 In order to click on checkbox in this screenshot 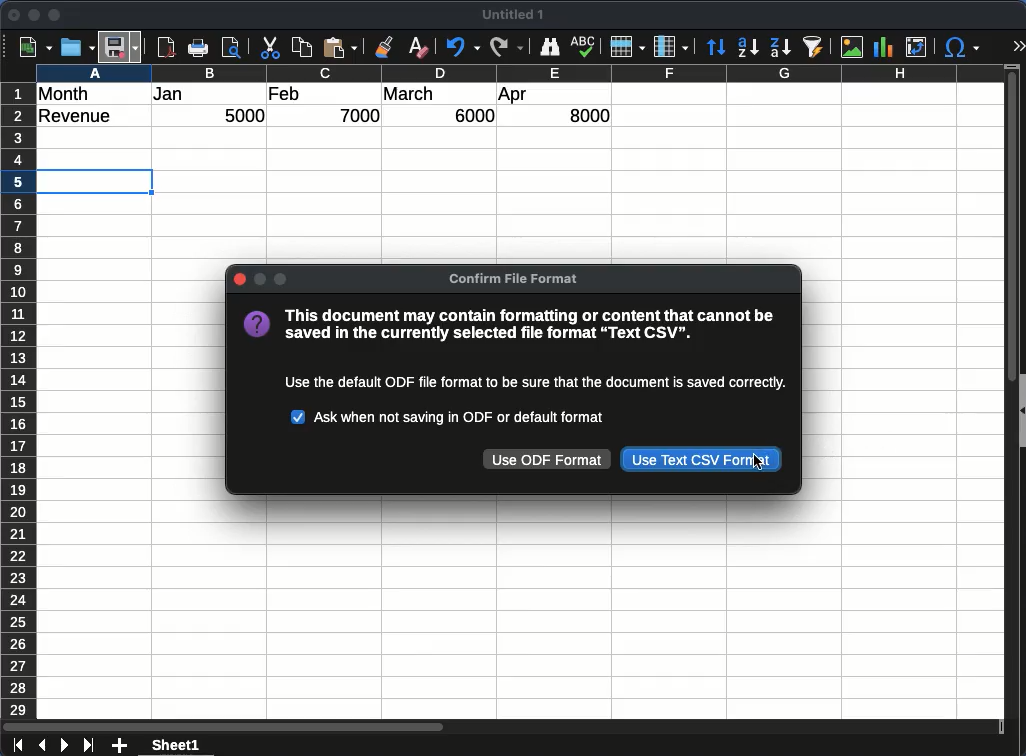, I will do `click(299, 418)`.